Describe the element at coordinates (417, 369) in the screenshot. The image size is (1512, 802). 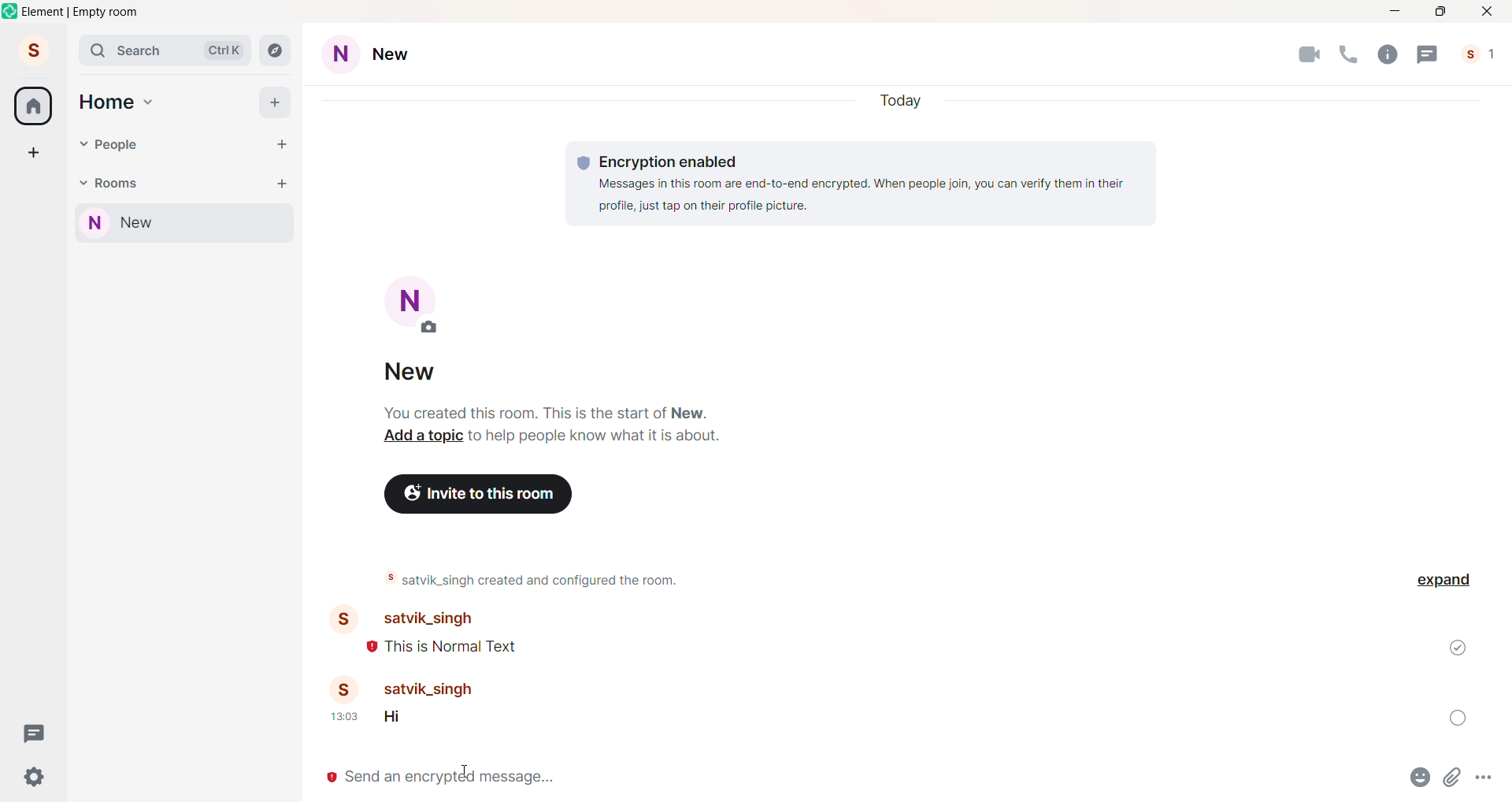
I see `new` at that location.